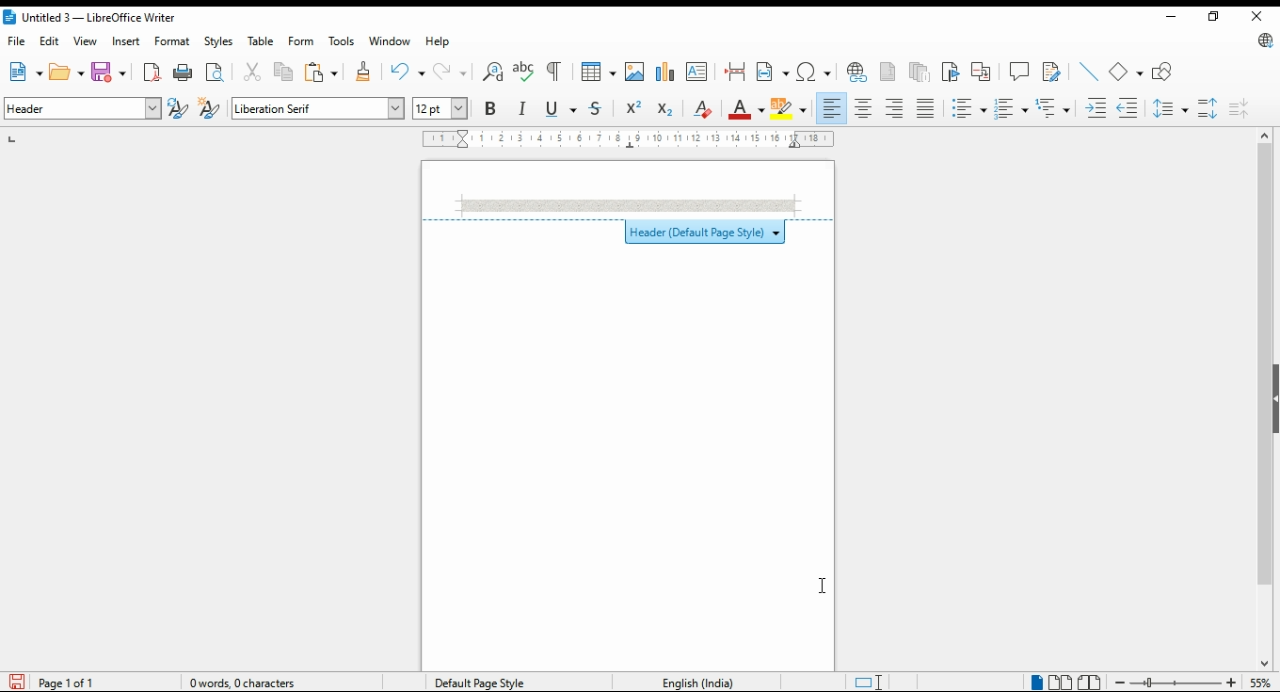 The width and height of the screenshot is (1280, 692). What do you see at coordinates (702, 108) in the screenshot?
I see `remove direct formatting` at bounding box center [702, 108].